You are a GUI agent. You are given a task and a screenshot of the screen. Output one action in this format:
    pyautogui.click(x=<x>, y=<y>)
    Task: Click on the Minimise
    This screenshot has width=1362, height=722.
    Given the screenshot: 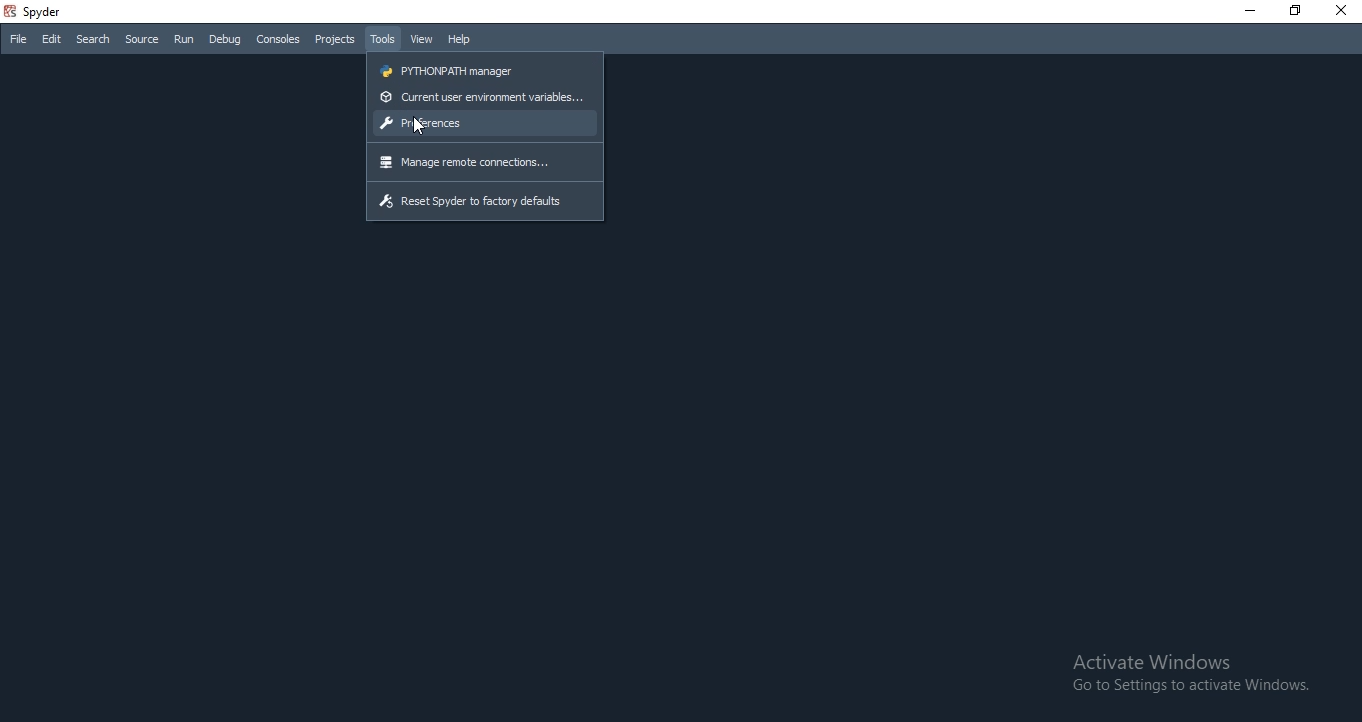 What is the action you would take?
    pyautogui.click(x=1247, y=10)
    